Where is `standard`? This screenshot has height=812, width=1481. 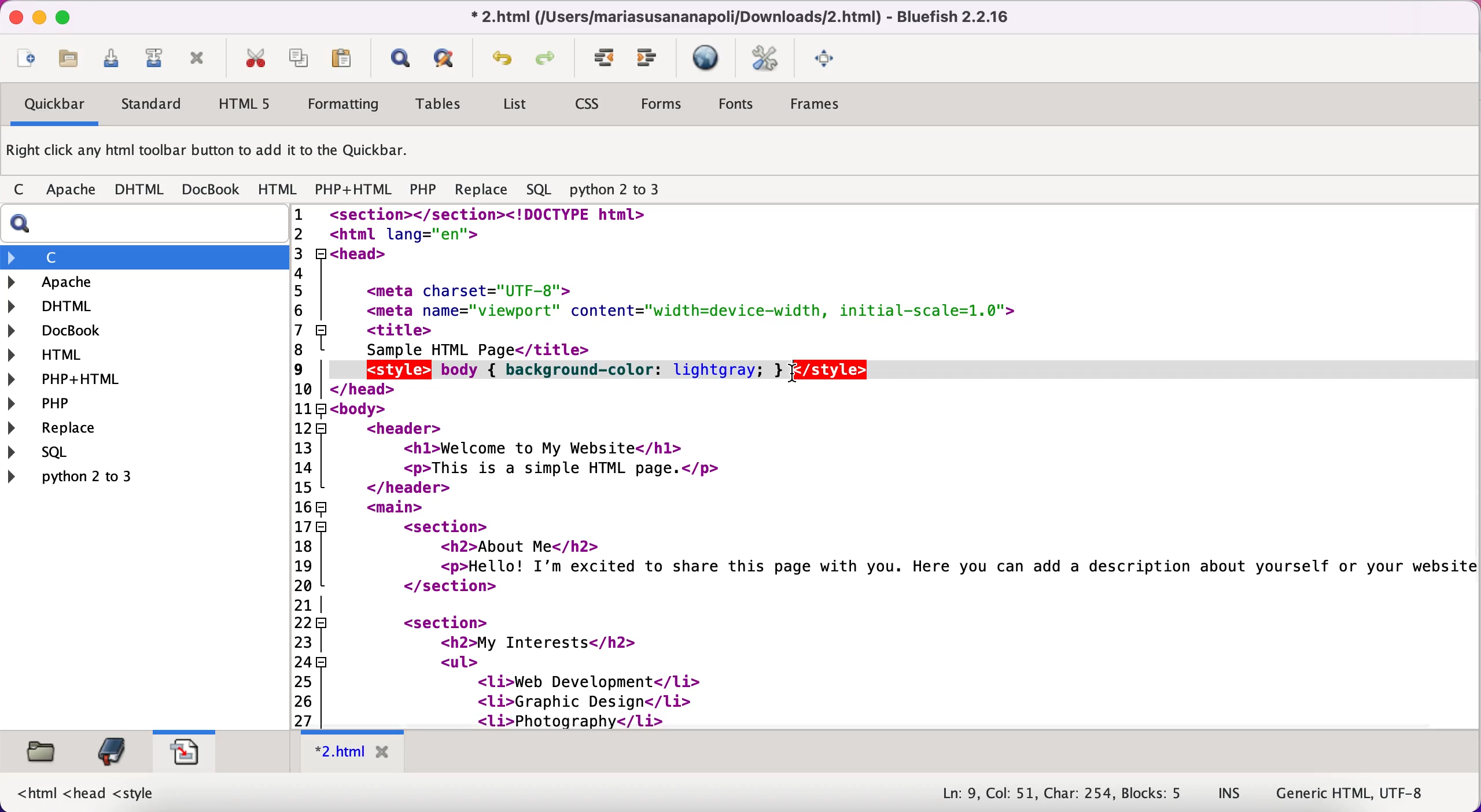
standard is located at coordinates (153, 106).